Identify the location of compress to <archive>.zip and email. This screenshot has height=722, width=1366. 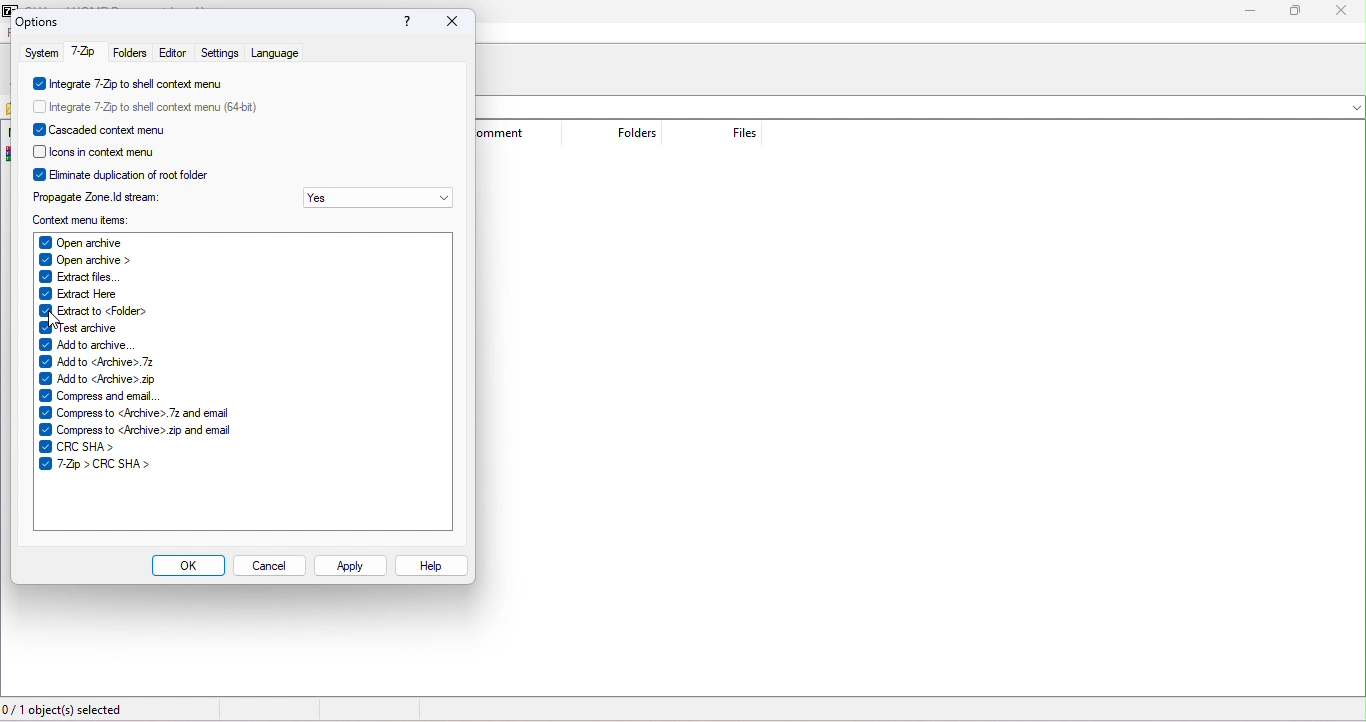
(144, 430).